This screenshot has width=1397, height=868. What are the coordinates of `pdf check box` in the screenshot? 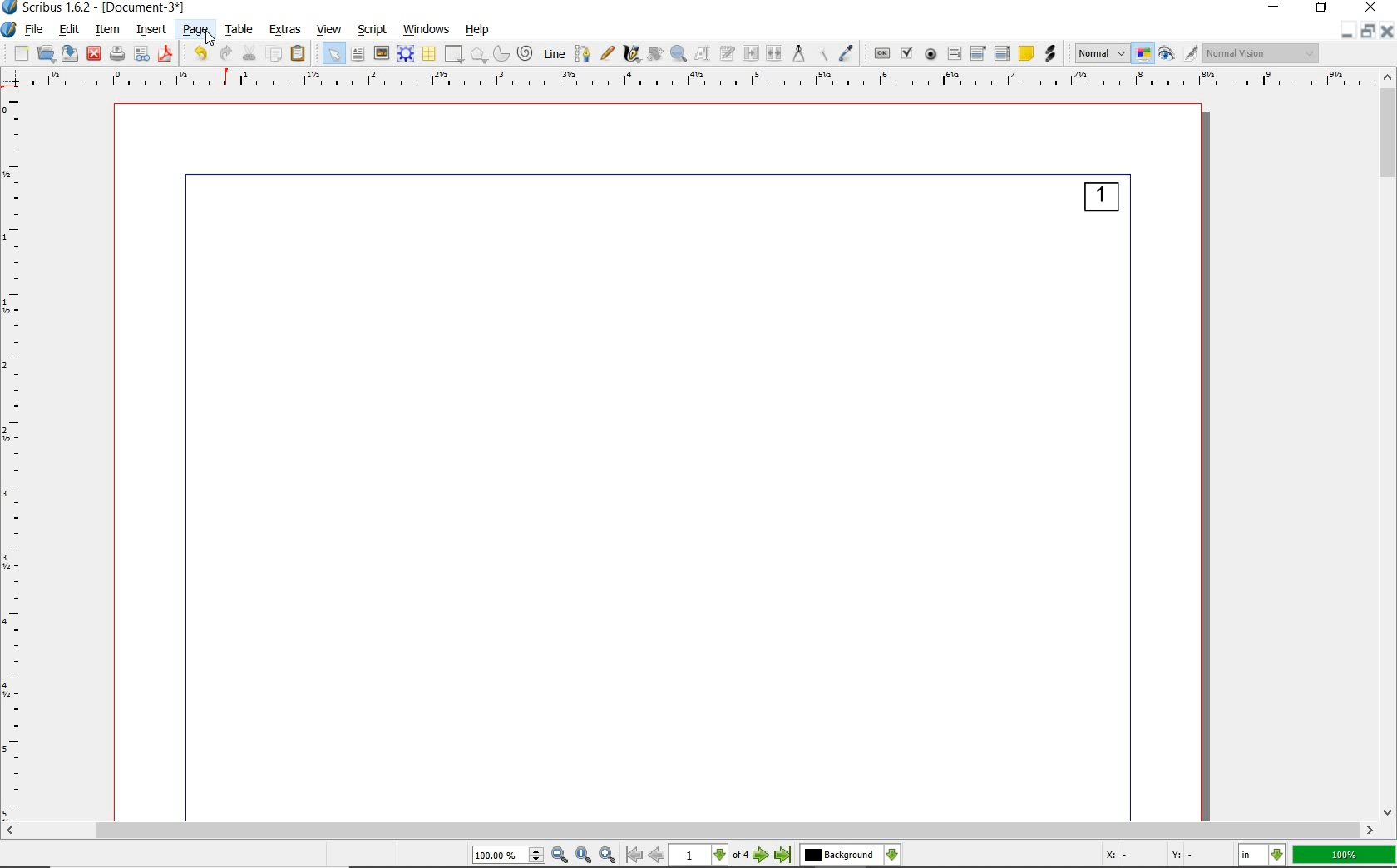 It's located at (908, 53).